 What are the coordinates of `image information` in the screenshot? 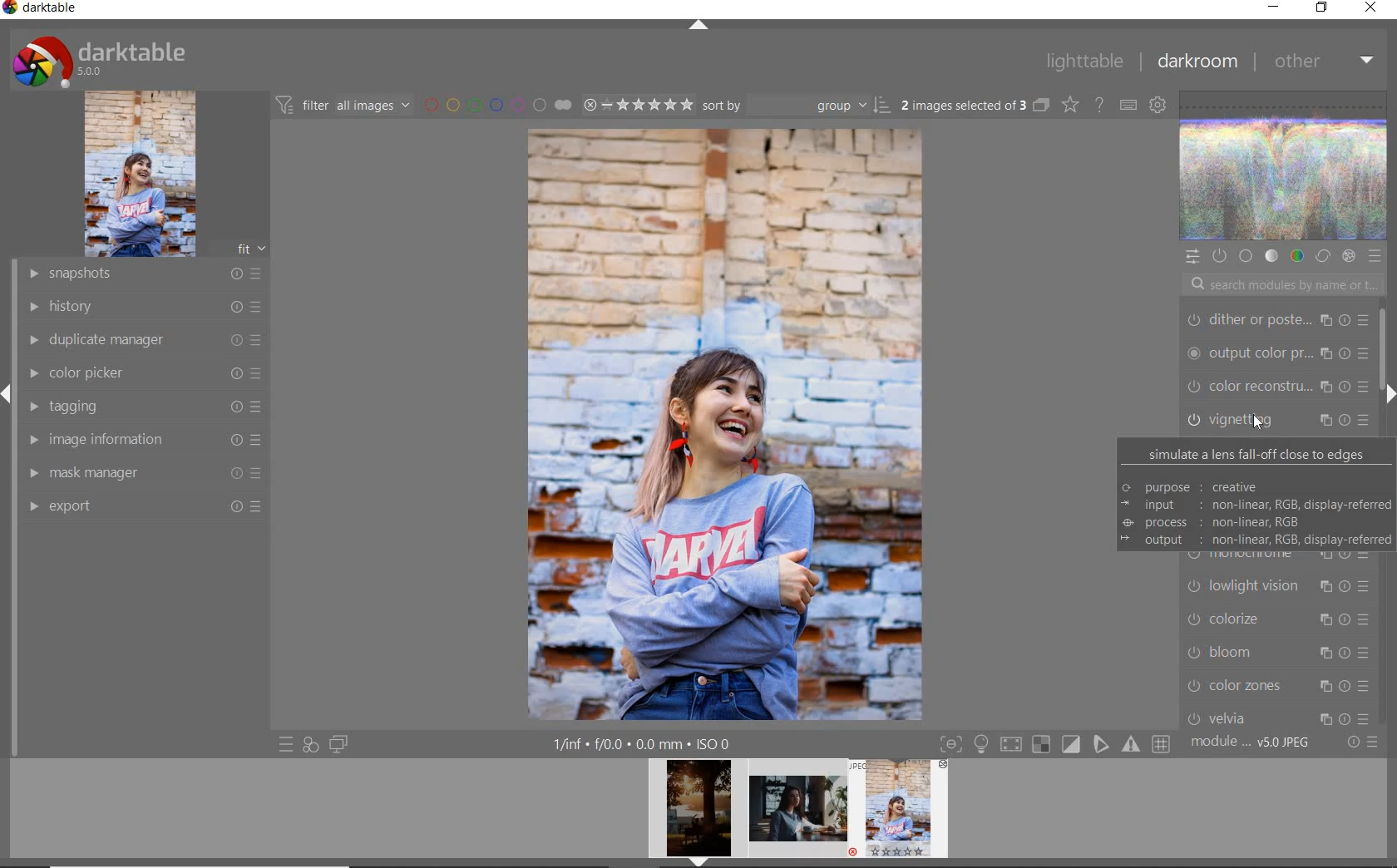 It's located at (144, 438).